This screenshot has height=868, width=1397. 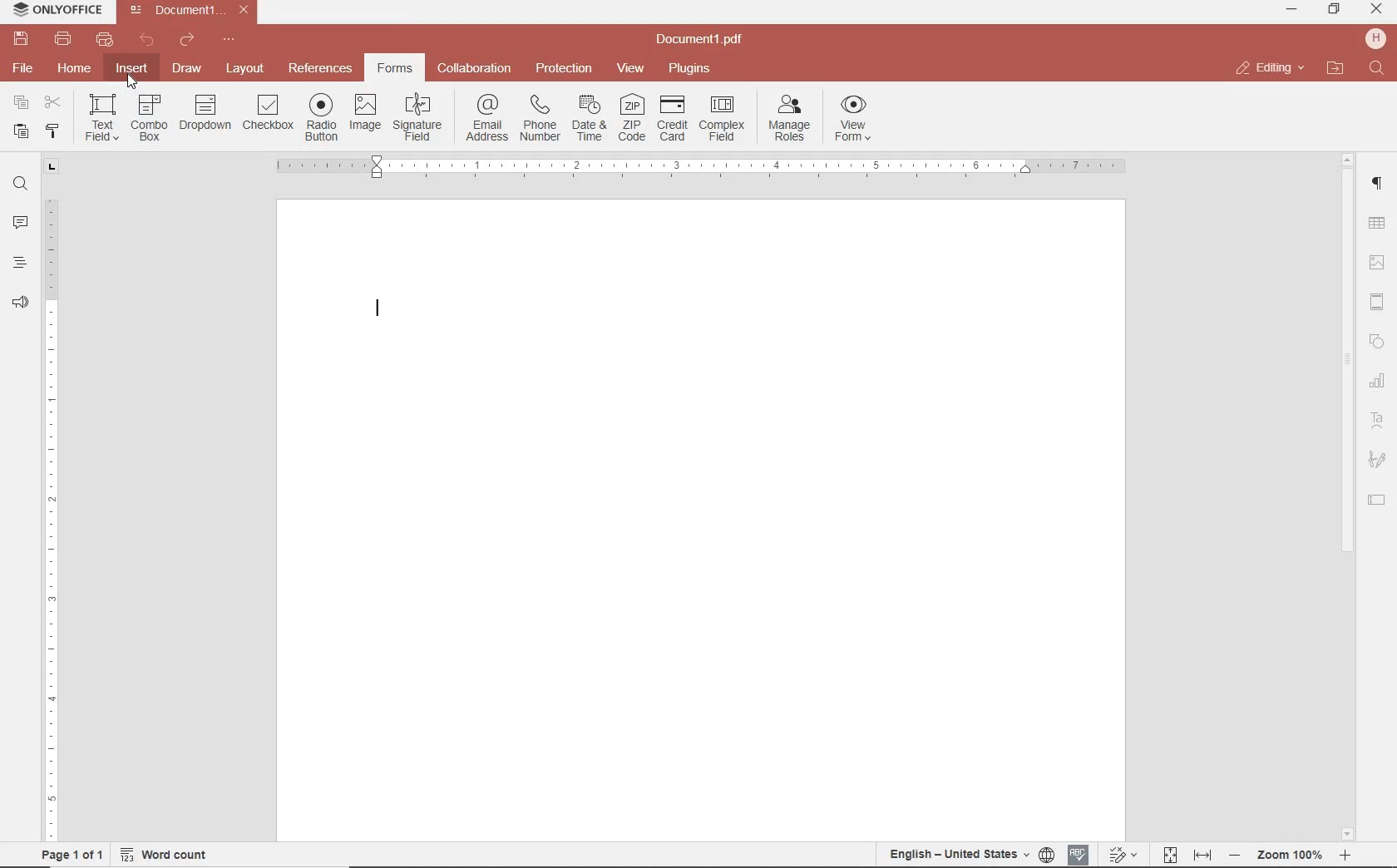 What do you see at coordinates (1269, 68) in the screenshot?
I see `close` at bounding box center [1269, 68].